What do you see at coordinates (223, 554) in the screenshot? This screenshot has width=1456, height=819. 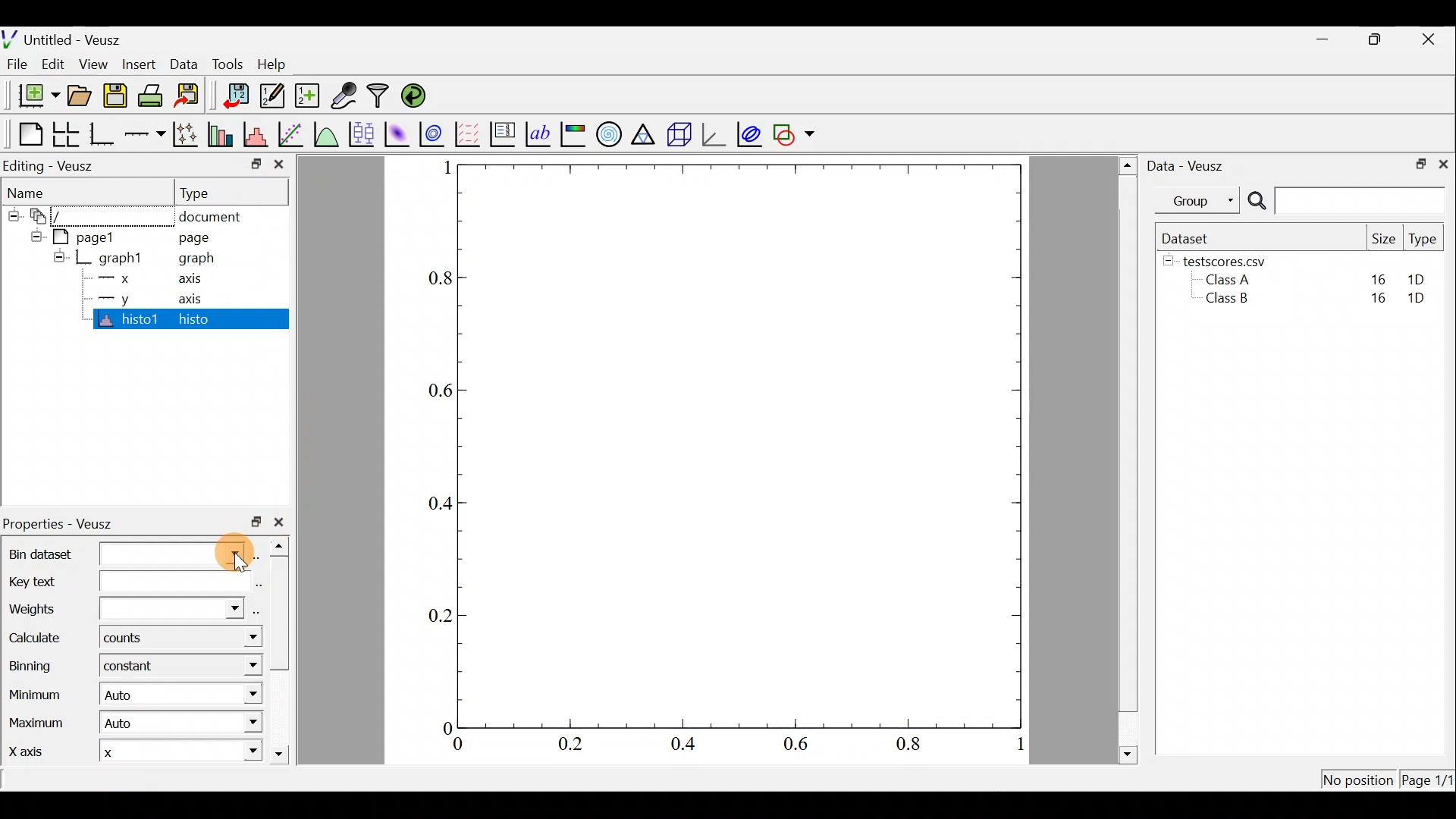 I see `cursor` at bounding box center [223, 554].